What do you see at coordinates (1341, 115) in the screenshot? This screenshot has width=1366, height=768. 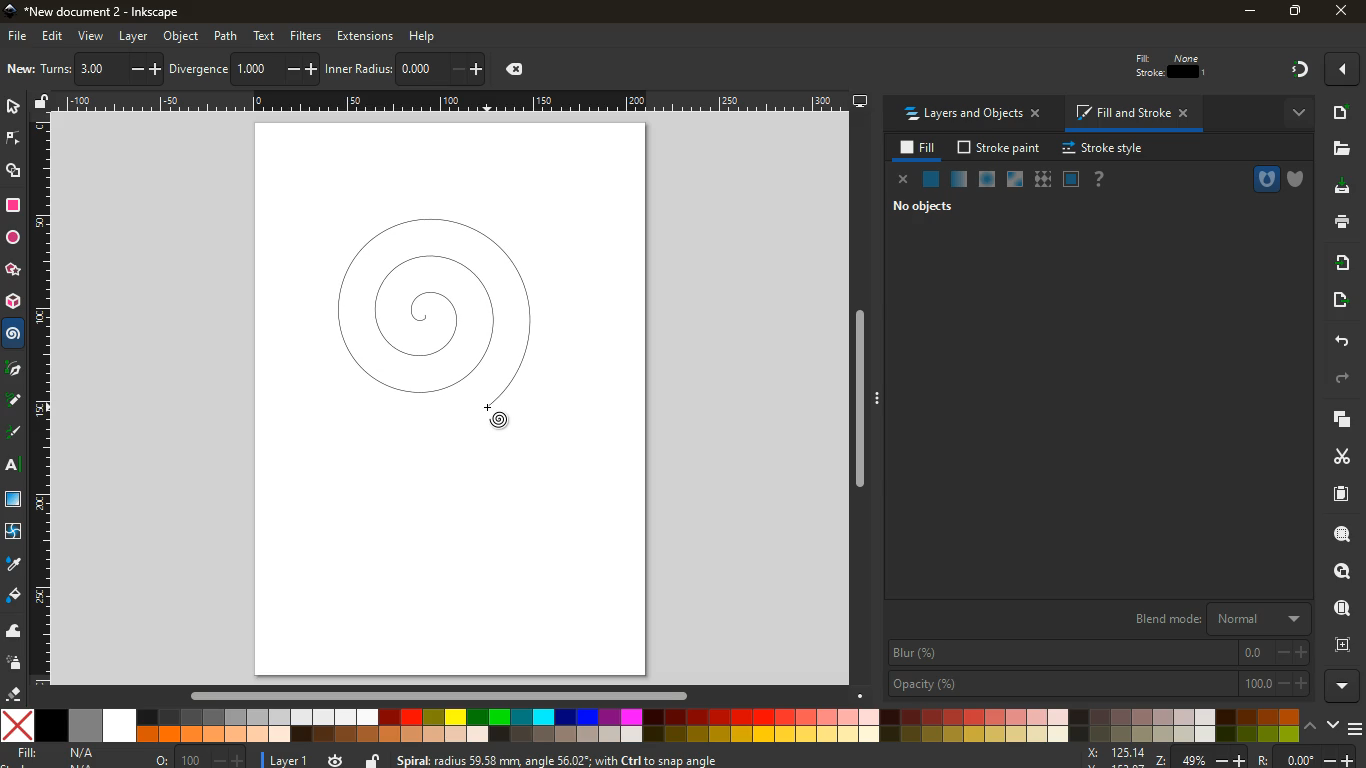 I see `add` at bounding box center [1341, 115].